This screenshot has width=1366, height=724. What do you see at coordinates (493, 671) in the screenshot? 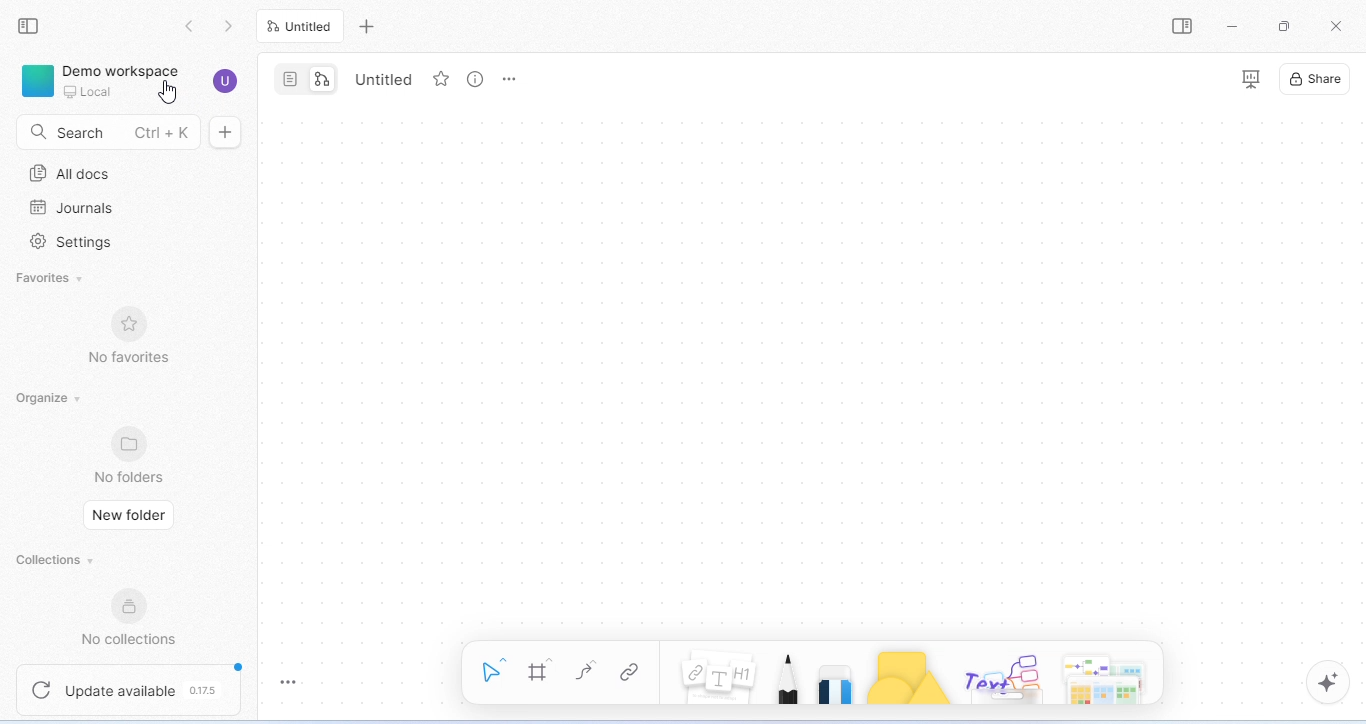
I see `select` at bounding box center [493, 671].